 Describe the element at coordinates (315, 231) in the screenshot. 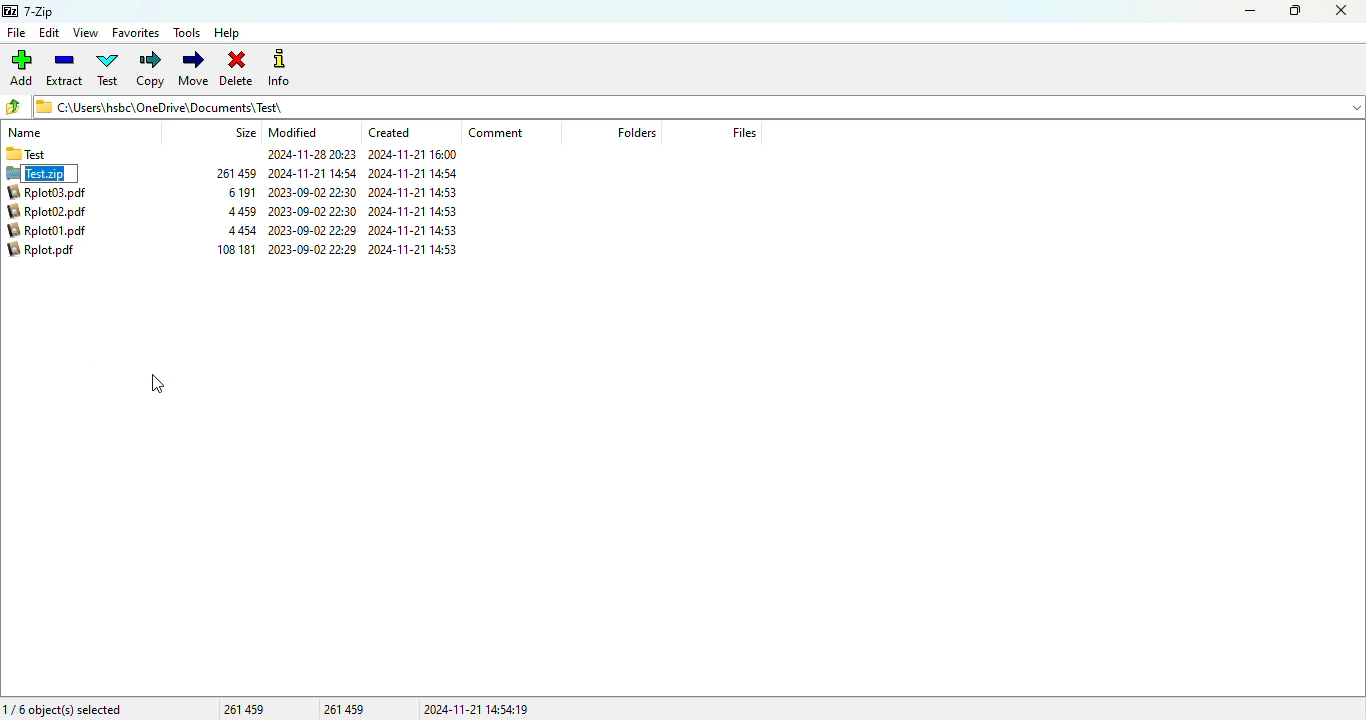

I see `2023-09-02 22:29` at that location.